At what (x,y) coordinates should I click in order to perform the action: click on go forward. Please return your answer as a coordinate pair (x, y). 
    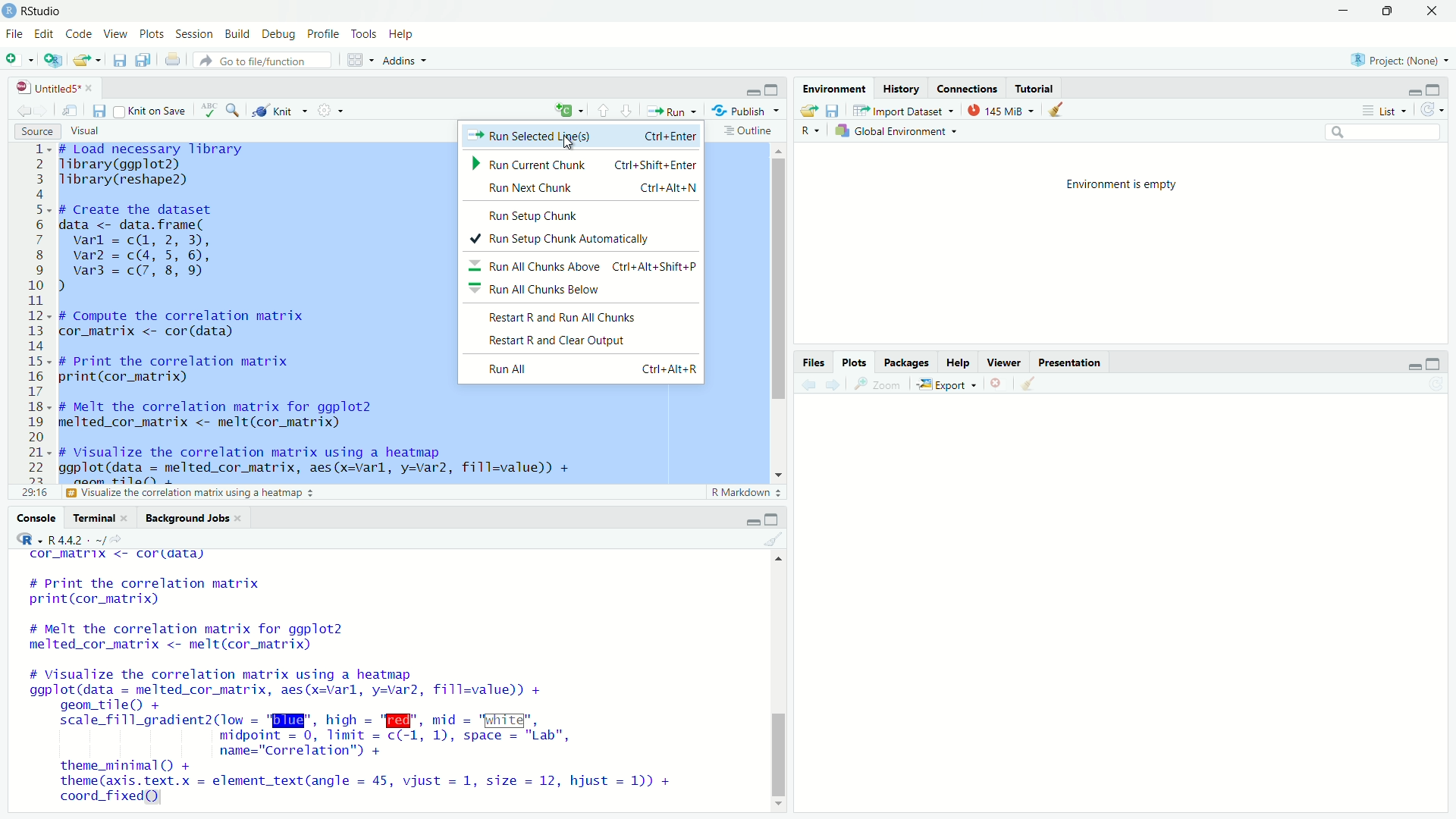
    Looking at the image, I should click on (45, 110).